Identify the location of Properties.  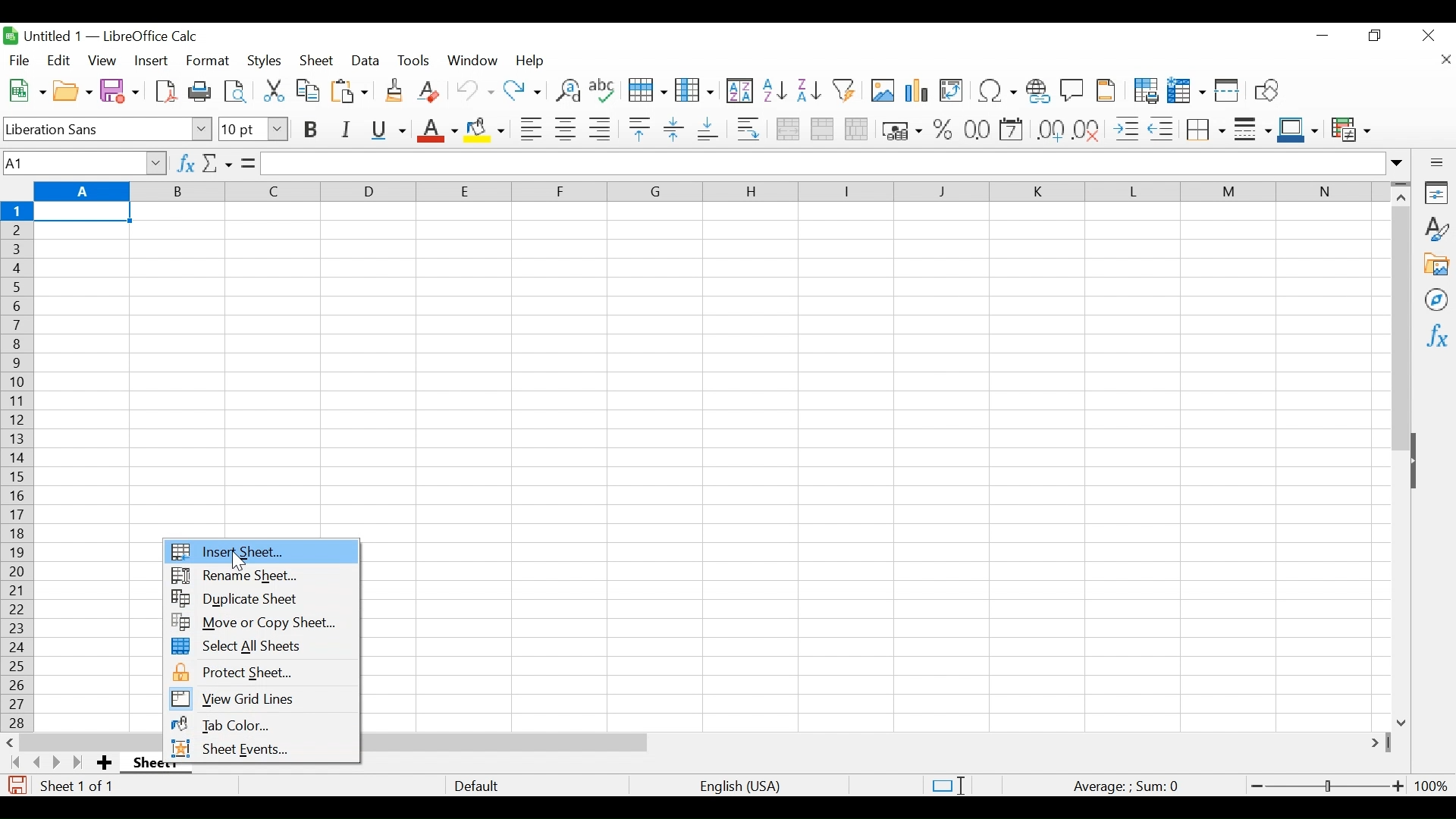
(1435, 193).